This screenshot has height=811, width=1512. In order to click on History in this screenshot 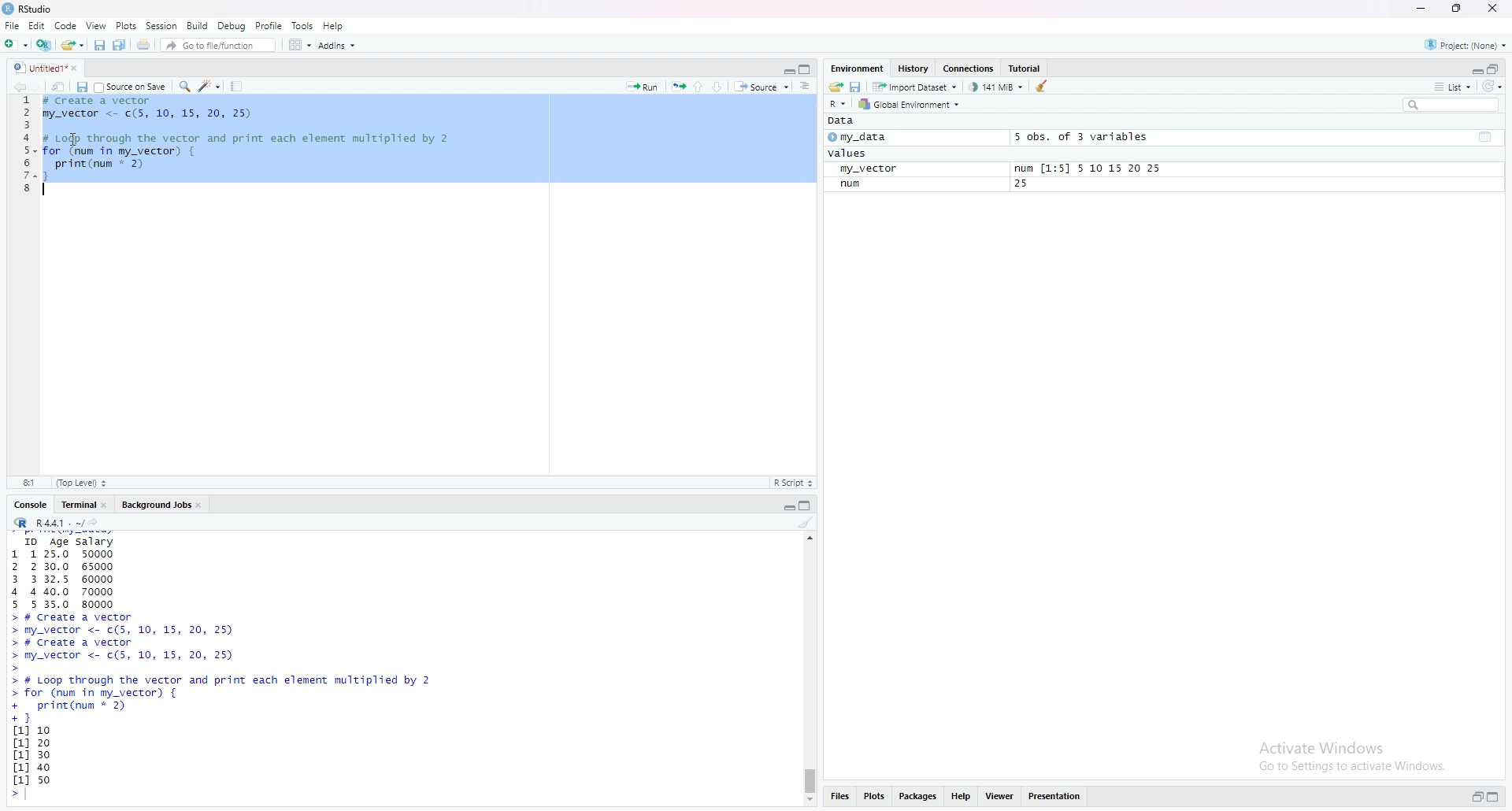, I will do `click(914, 67)`.